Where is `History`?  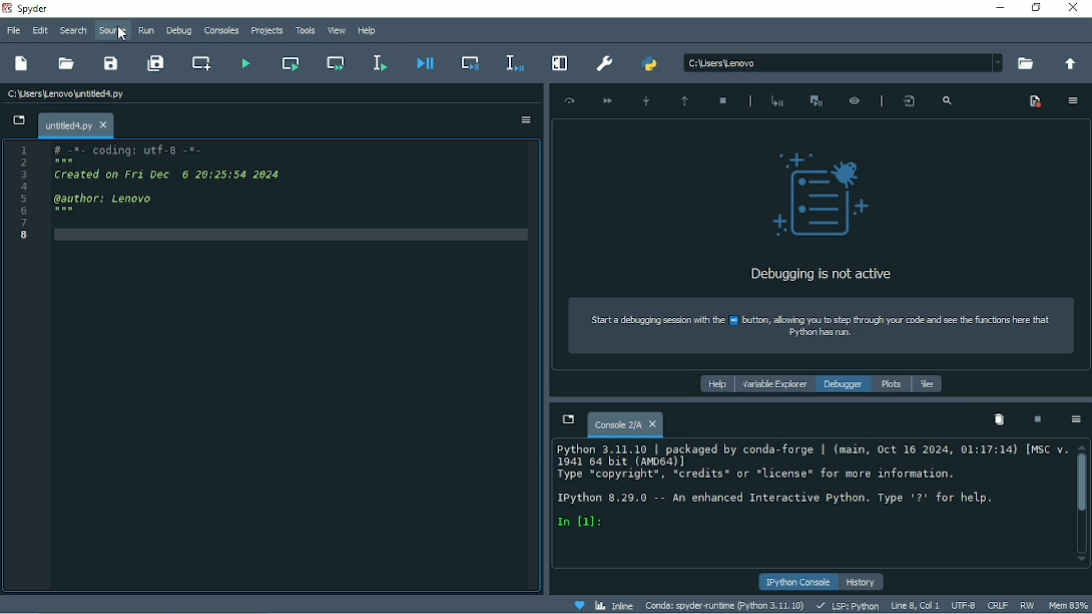 History is located at coordinates (861, 582).